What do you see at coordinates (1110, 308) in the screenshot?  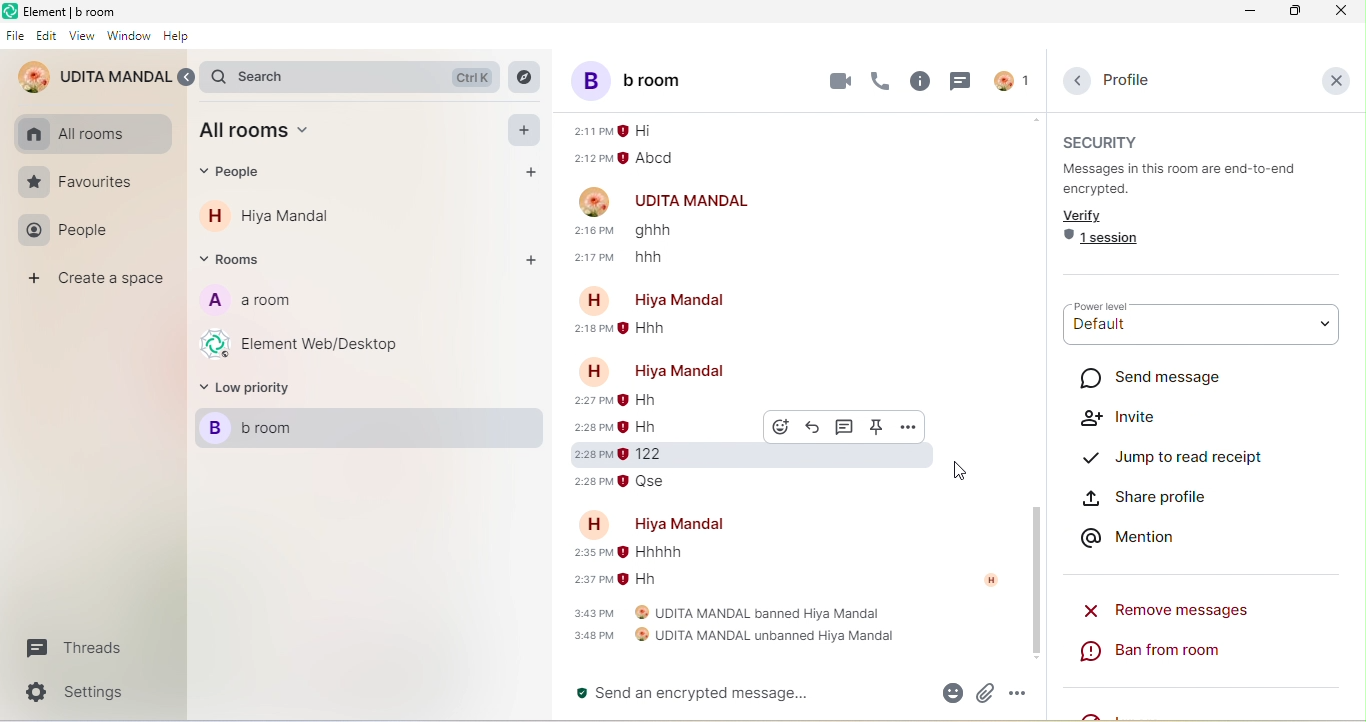 I see `power level` at bounding box center [1110, 308].